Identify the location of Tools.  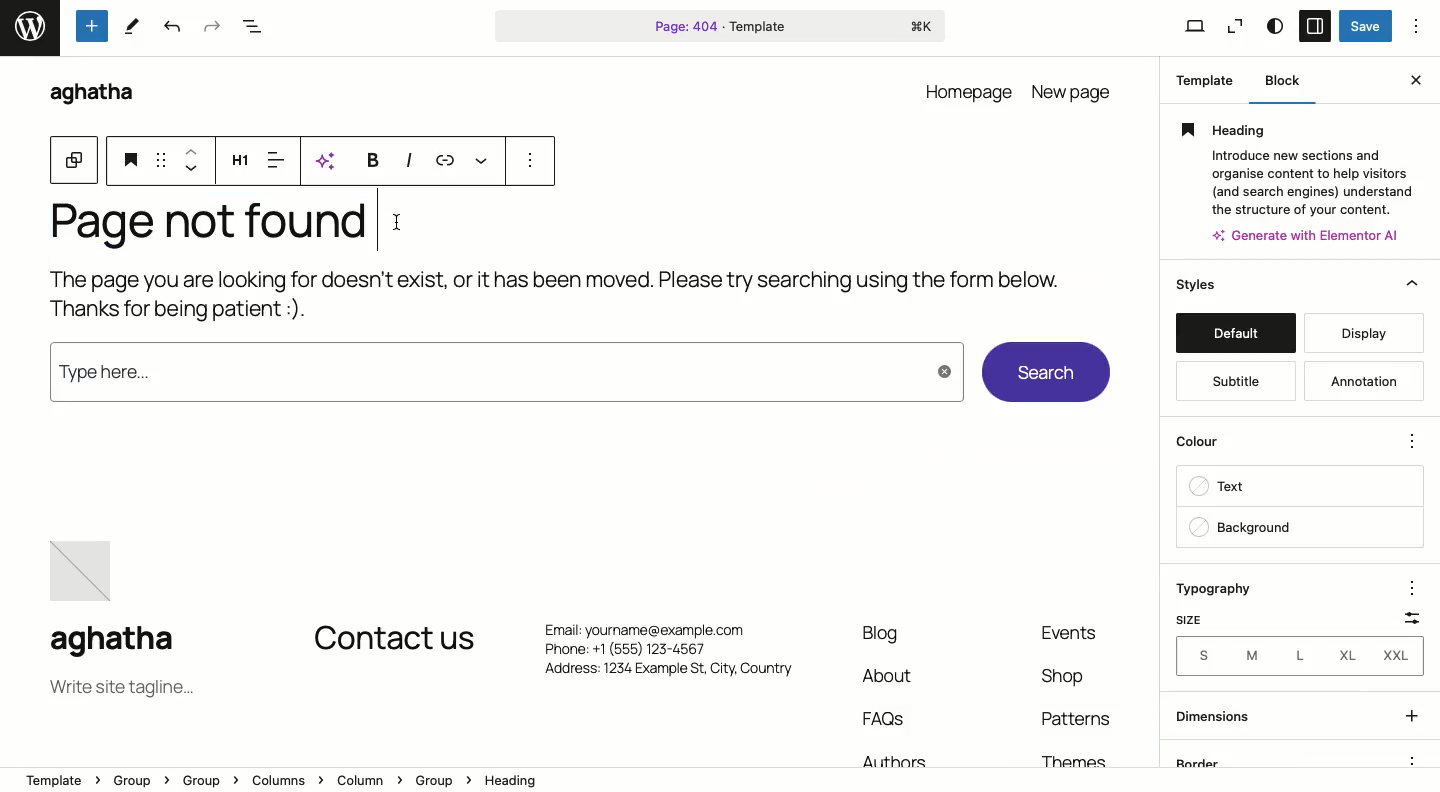
(93, 25).